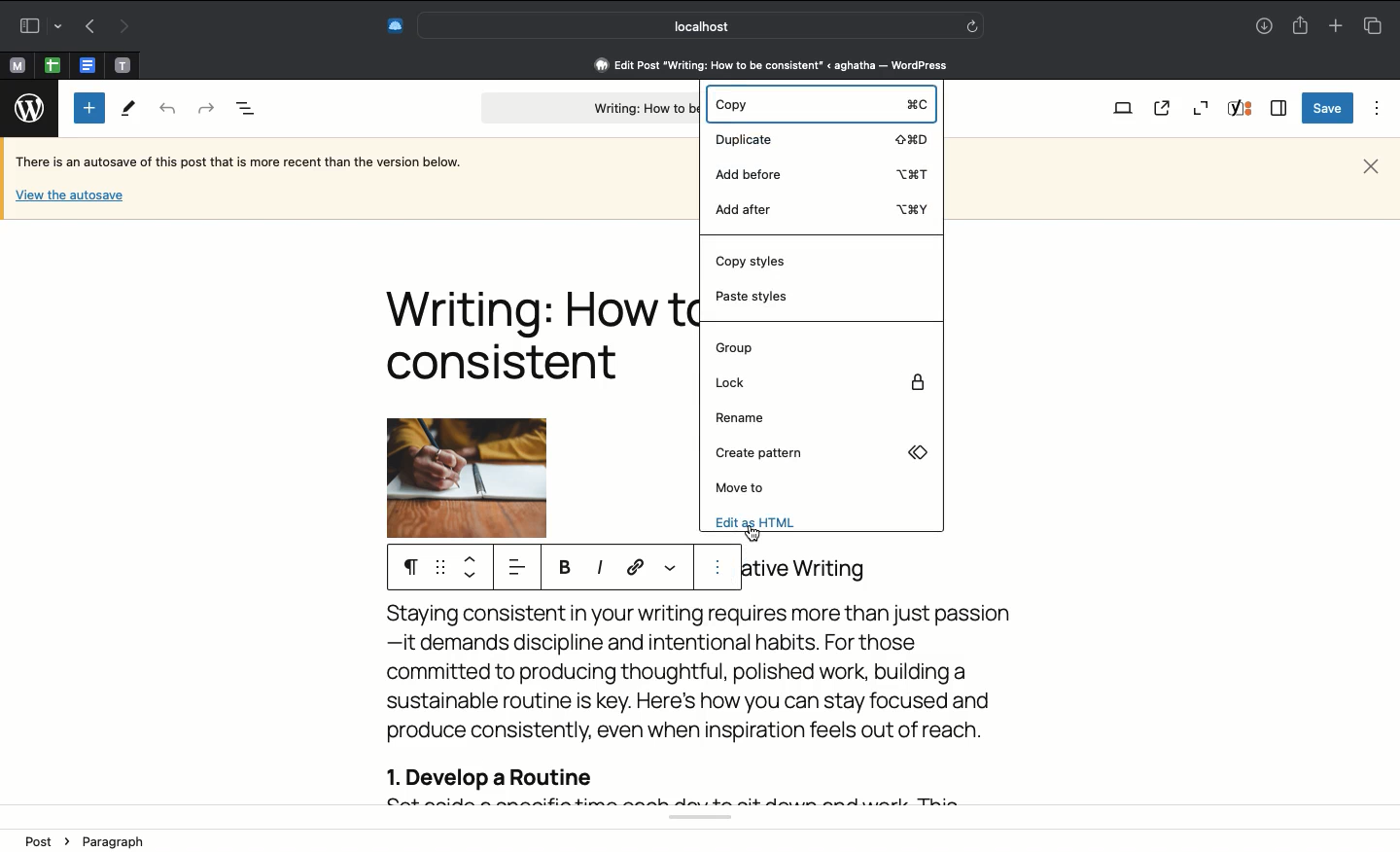 This screenshot has width=1400, height=852. What do you see at coordinates (1303, 26) in the screenshot?
I see `Share` at bounding box center [1303, 26].